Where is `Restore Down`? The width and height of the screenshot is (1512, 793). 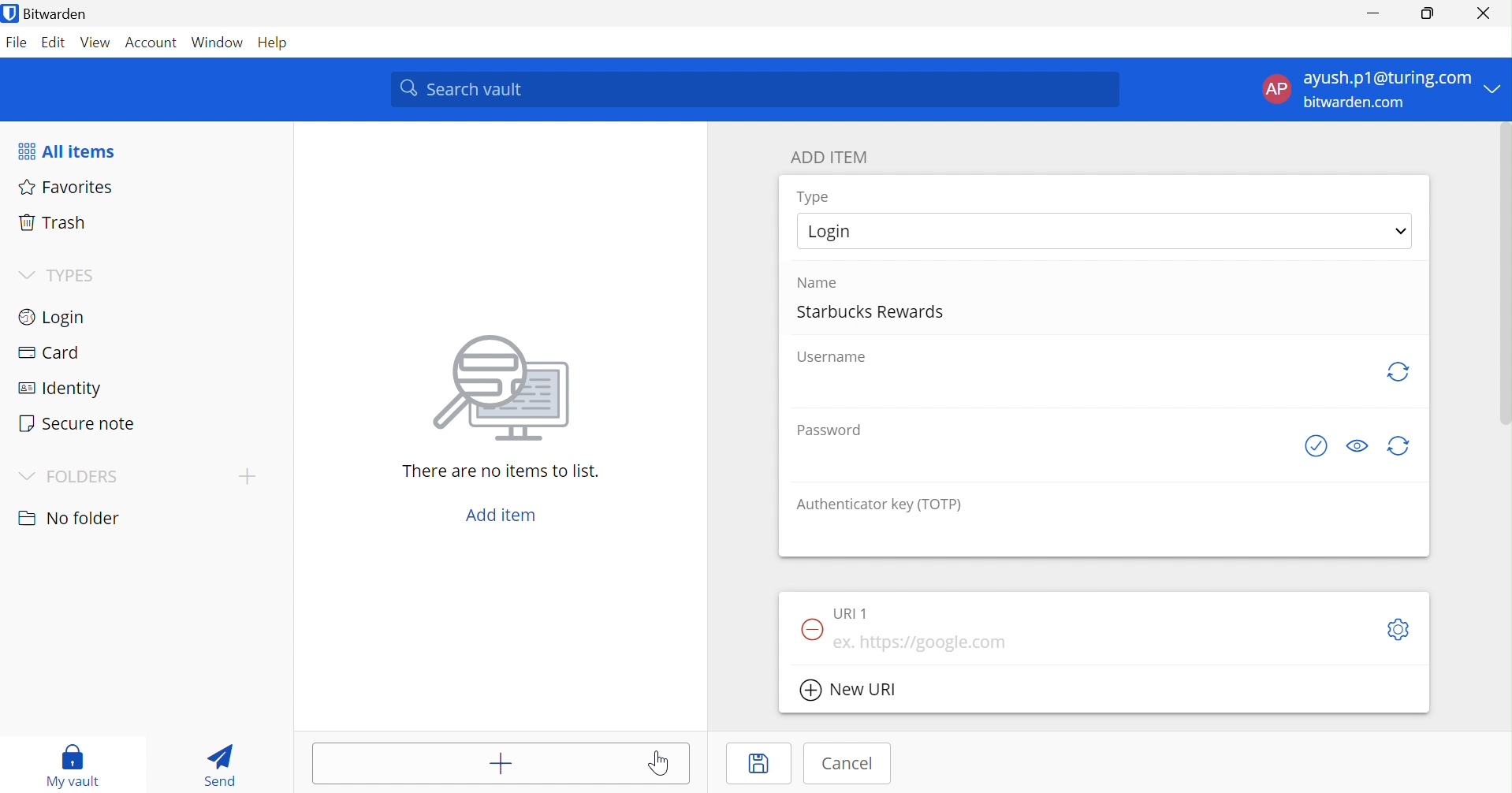 Restore Down is located at coordinates (1428, 11).